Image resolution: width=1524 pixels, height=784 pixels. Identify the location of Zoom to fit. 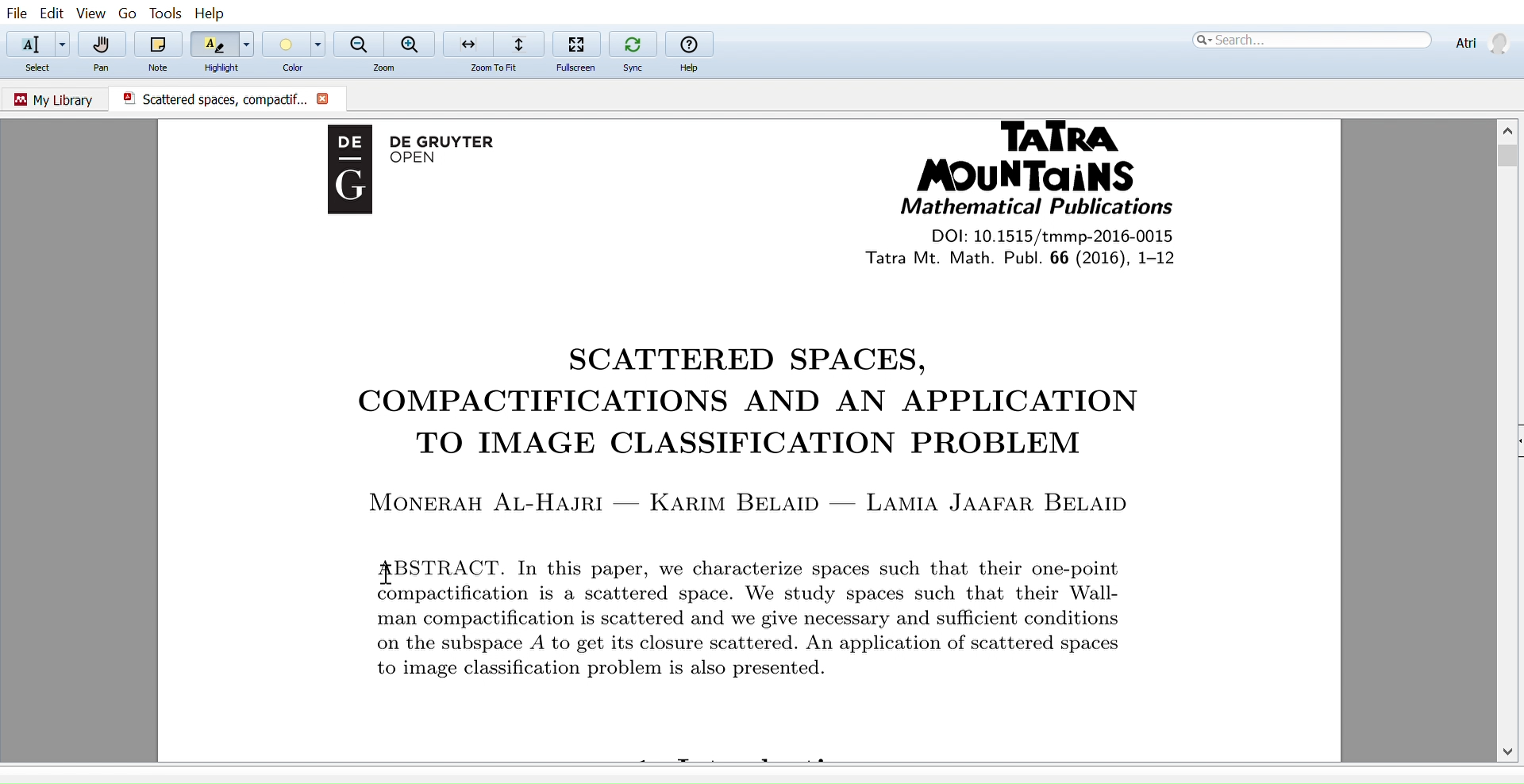
(492, 43).